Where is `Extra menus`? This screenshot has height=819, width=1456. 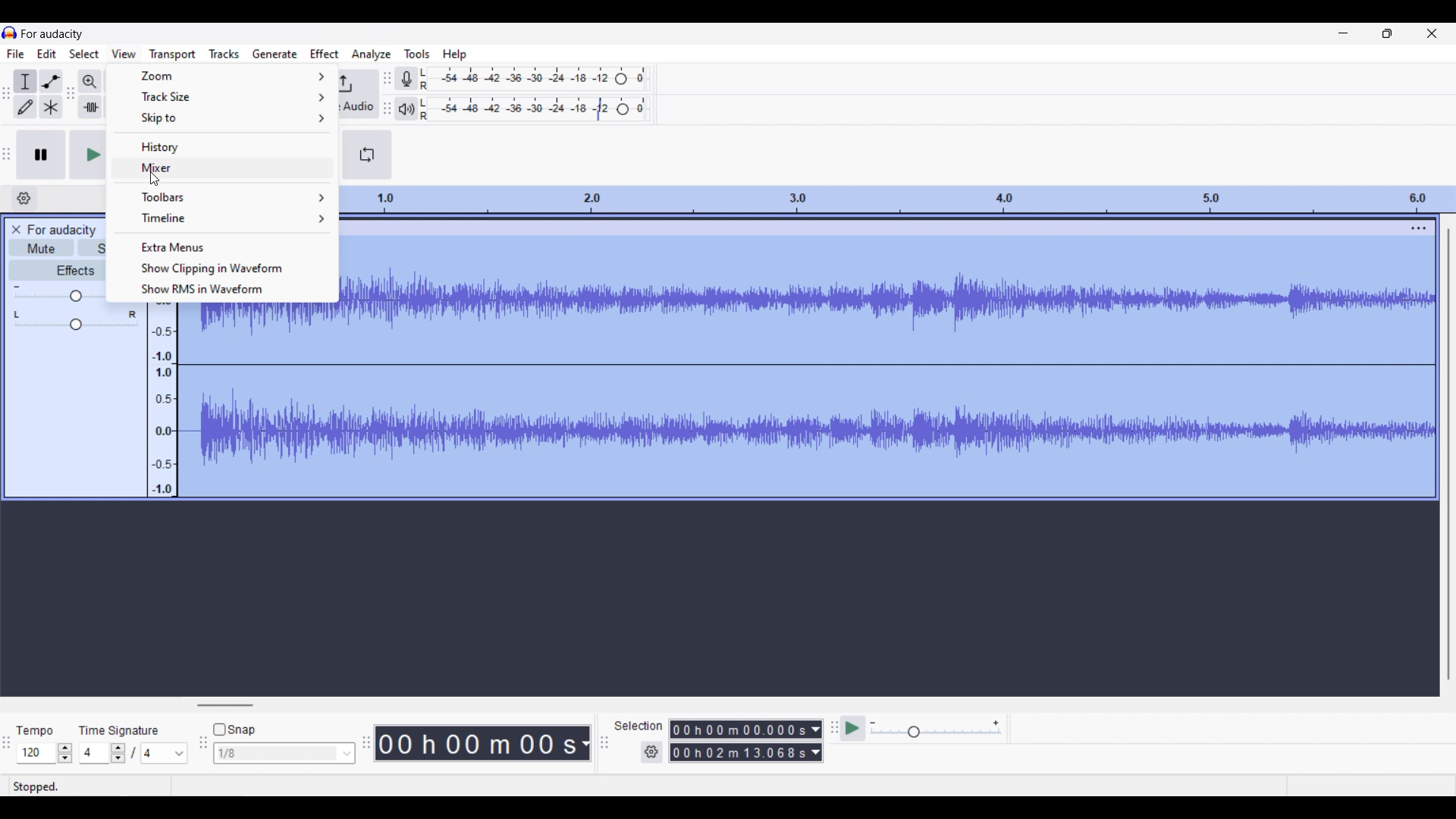
Extra menus is located at coordinates (221, 246).